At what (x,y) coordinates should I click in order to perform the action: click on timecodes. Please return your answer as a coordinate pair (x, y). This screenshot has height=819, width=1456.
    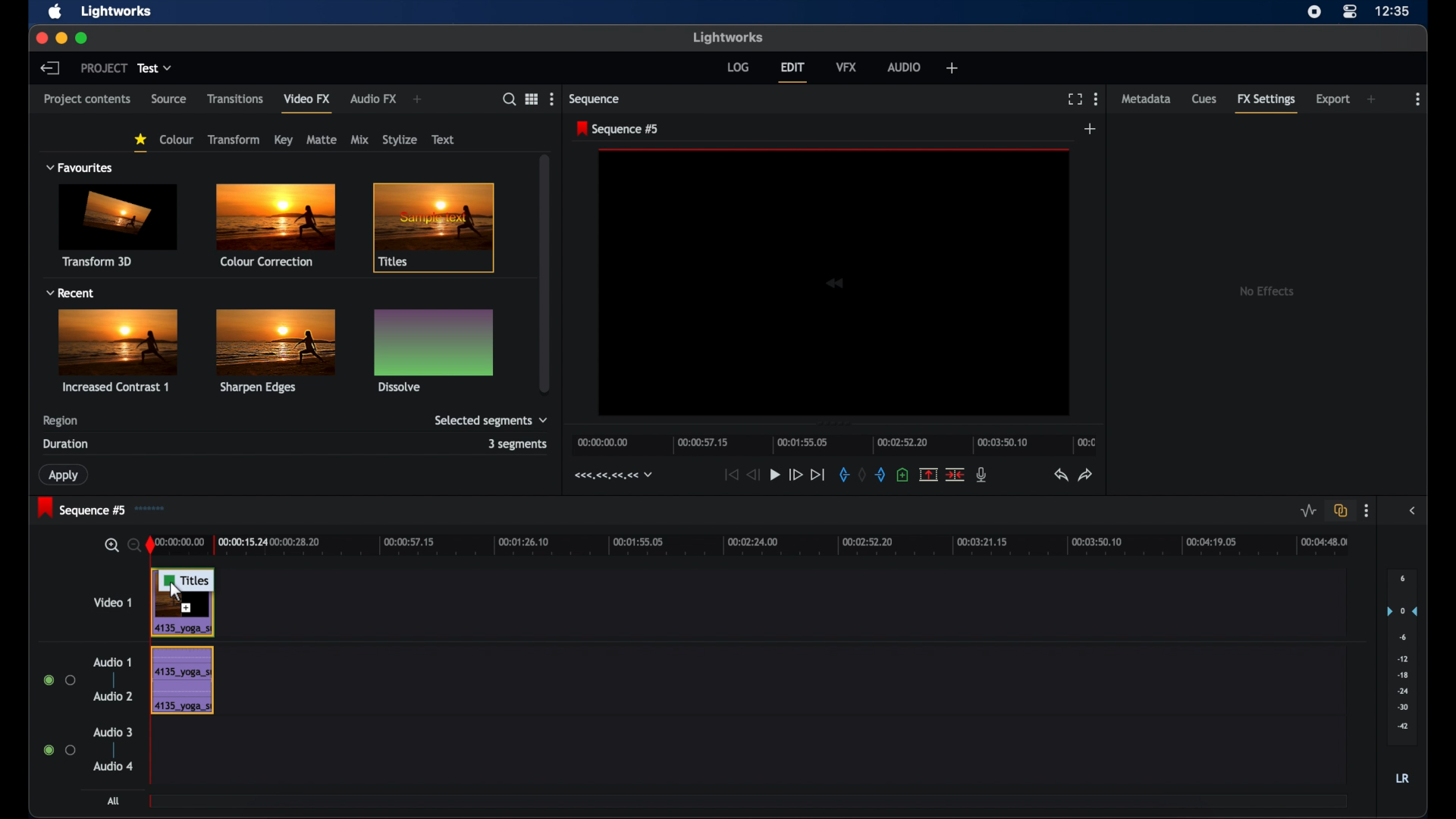
    Looking at the image, I should click on (611, 475).